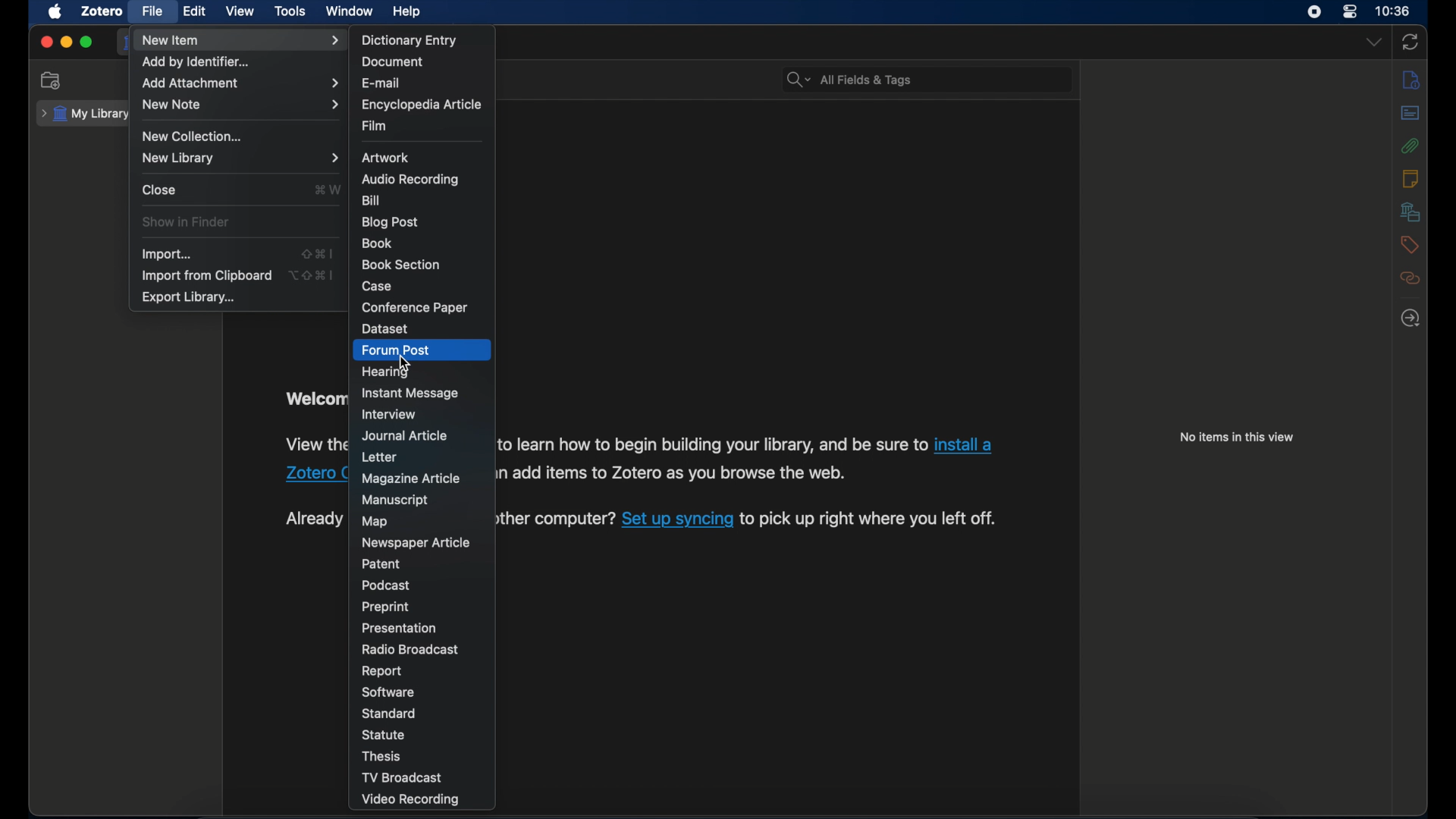 This screenshot has width=1456, height=819. What do you see at coordinates (370, 200) in the screenshot?
I see `bill` at bounding box center [370, 200].